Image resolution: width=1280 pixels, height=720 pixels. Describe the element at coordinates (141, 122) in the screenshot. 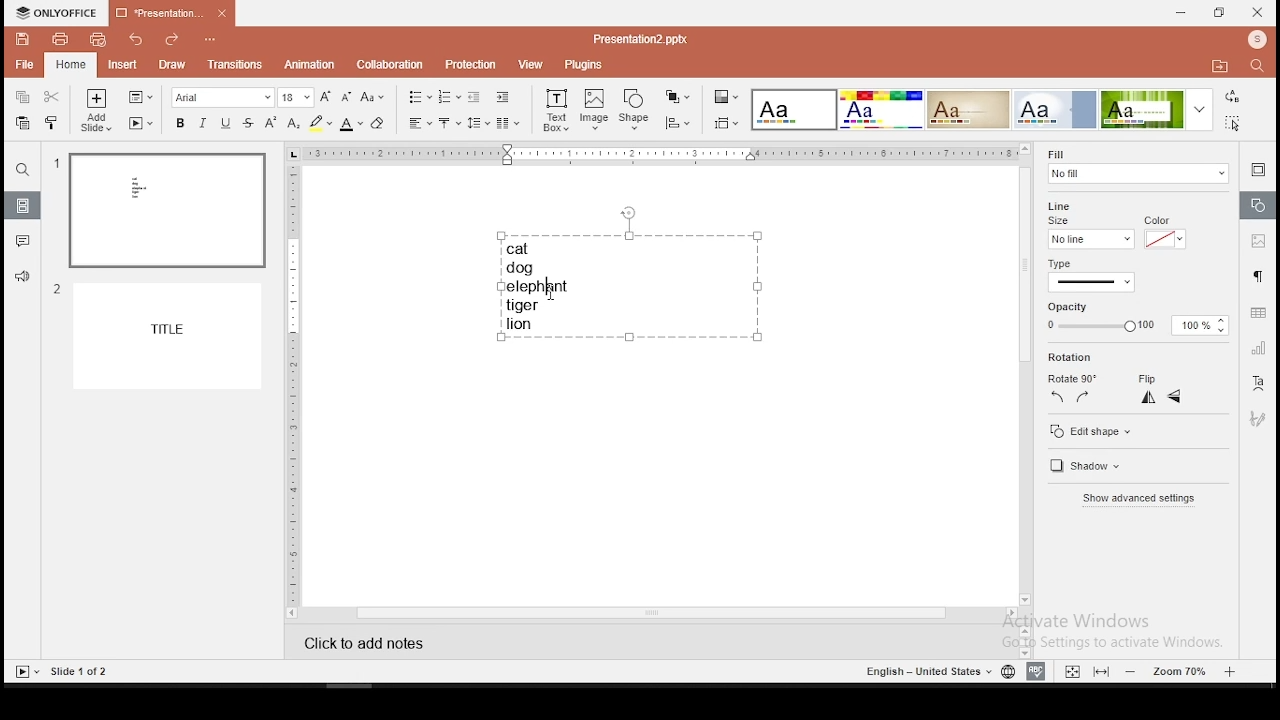

I see `start slideshow` at that location.